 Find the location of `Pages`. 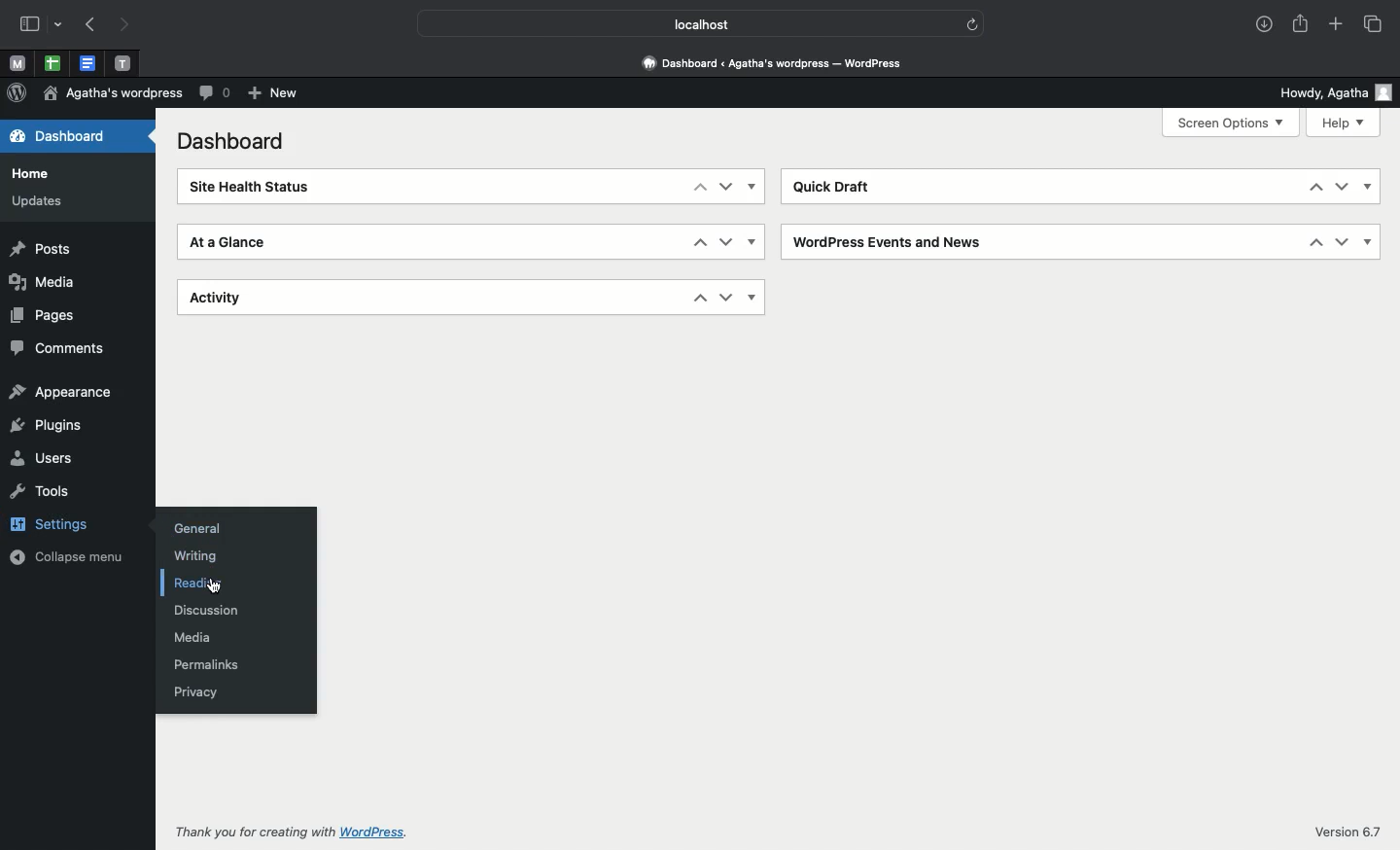

Pages is located at coordinates (42, 314).